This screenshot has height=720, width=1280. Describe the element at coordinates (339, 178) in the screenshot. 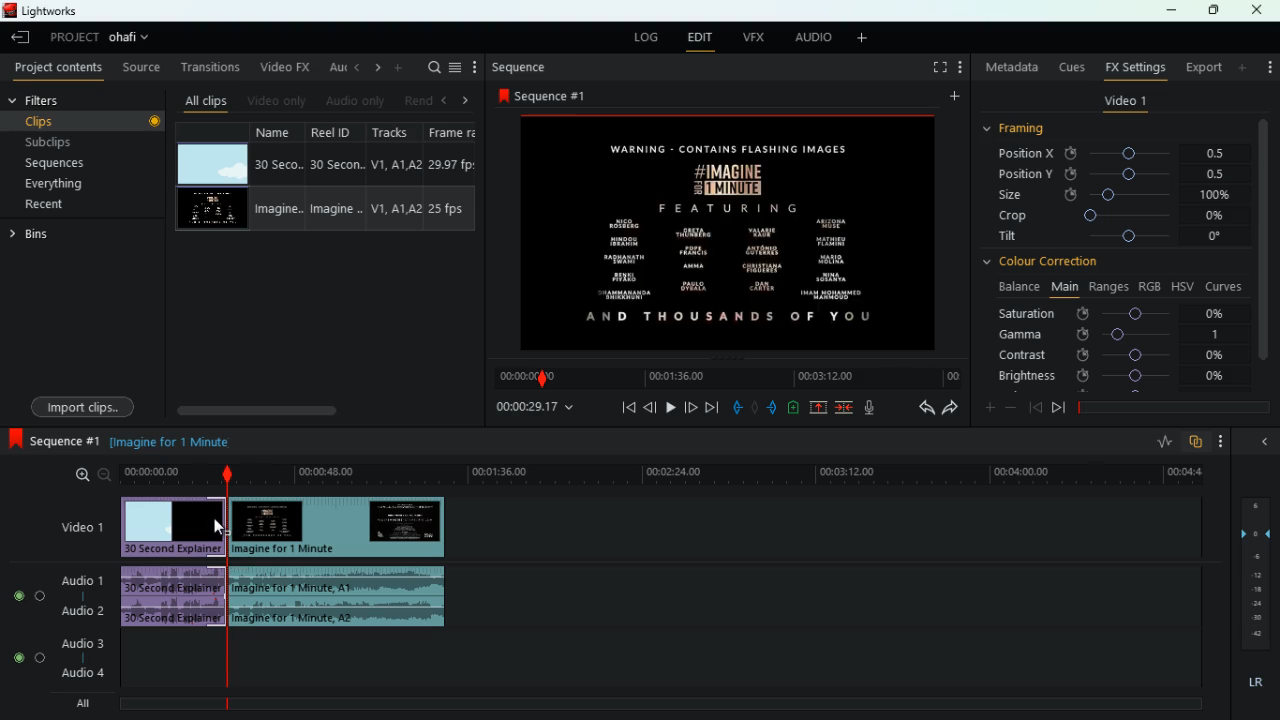

I see `reel id` at that location.